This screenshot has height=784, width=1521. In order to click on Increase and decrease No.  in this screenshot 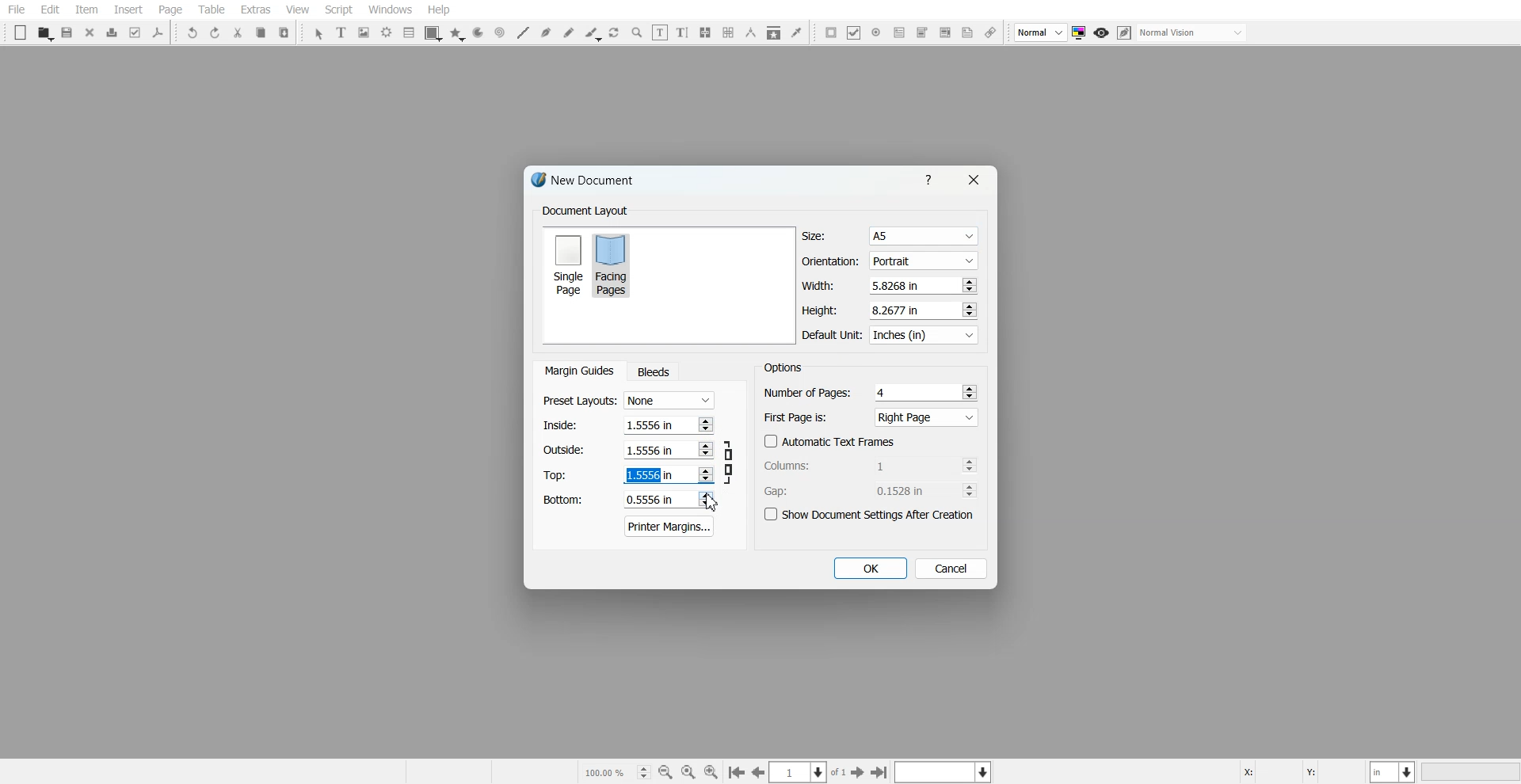, I will do `click(705, 475)`.